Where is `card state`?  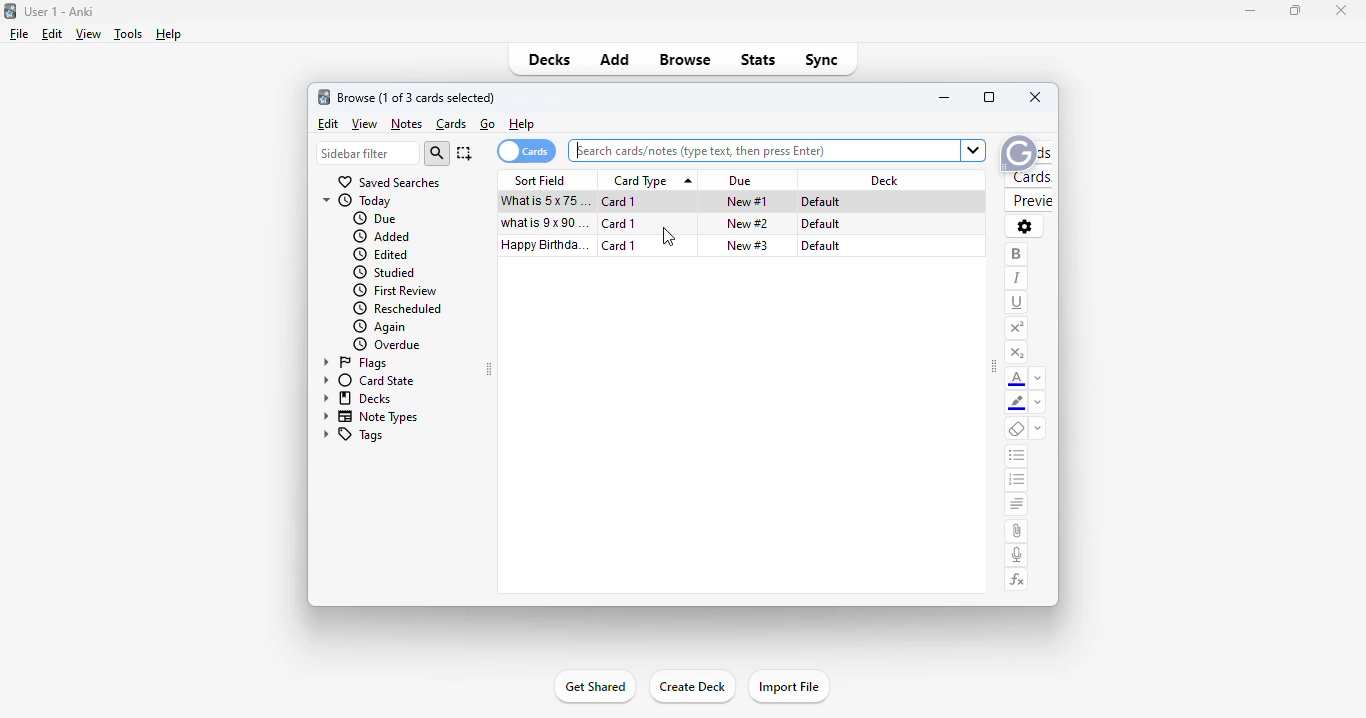
card state is located at coordinates (366, 381).